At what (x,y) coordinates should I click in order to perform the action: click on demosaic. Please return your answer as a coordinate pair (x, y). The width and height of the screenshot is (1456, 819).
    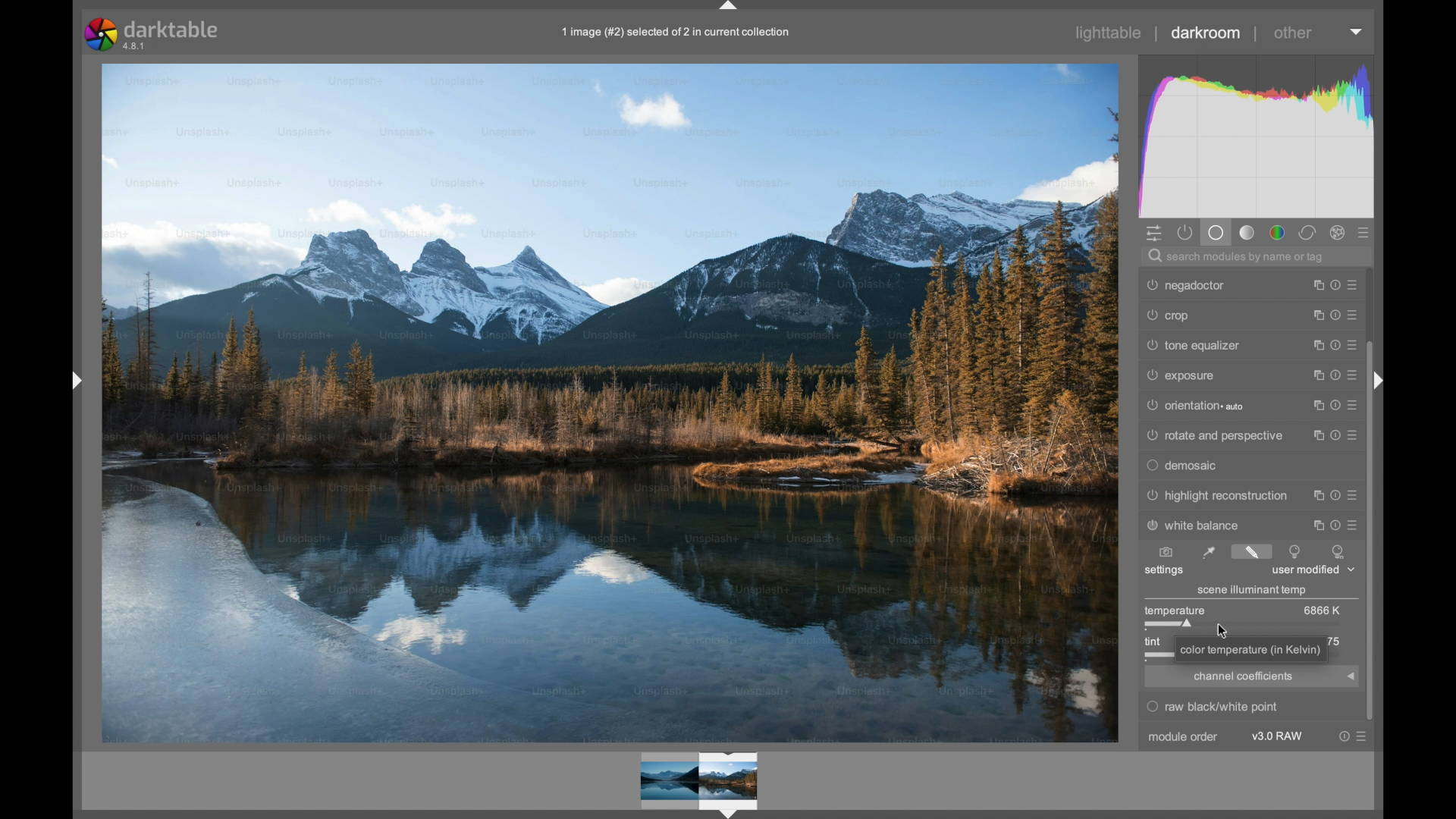
    Looking at the image, I should click on (1181, 465).